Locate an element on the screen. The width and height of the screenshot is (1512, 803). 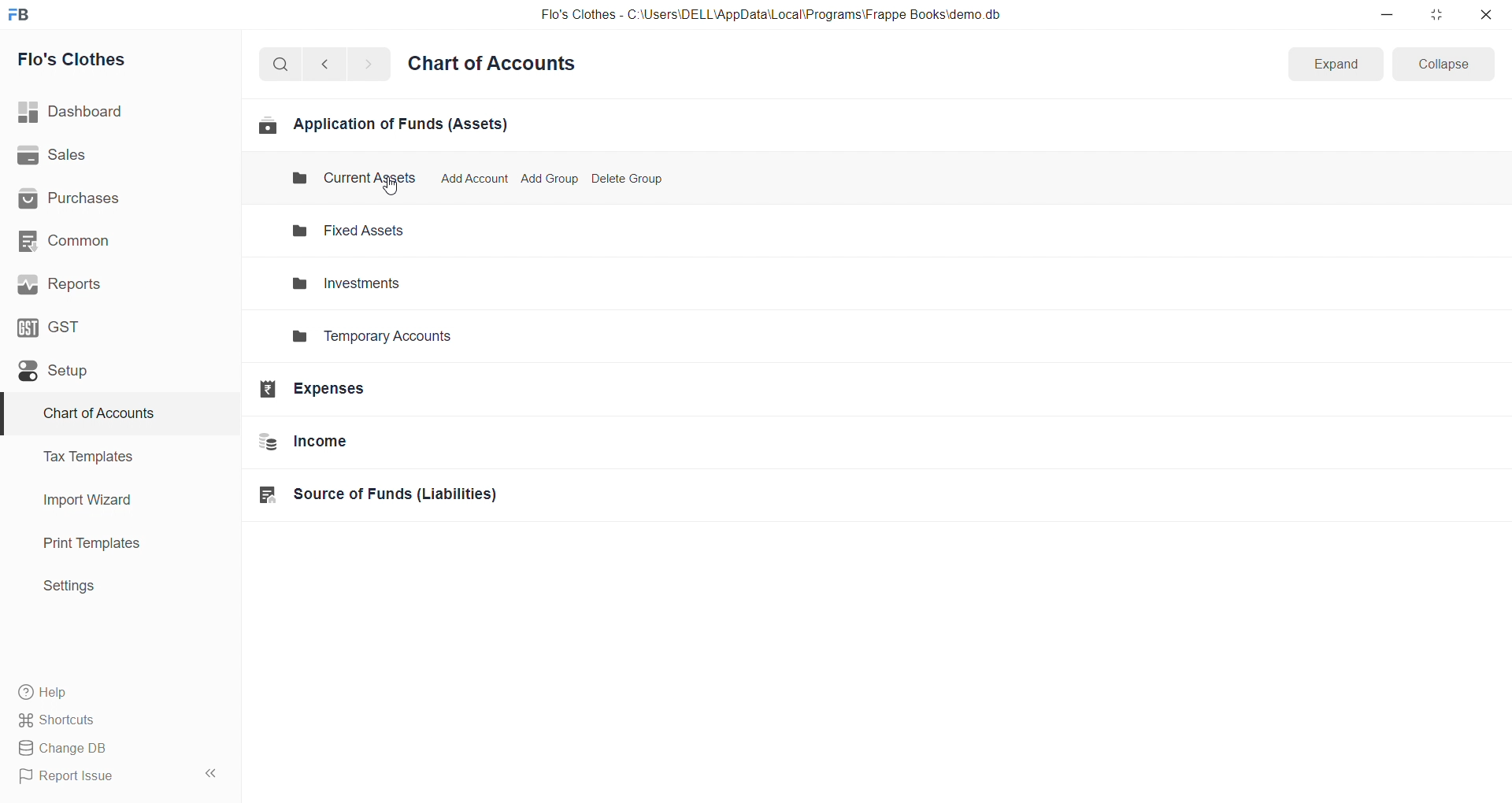
Expand is located at coordinates (1334, 65).